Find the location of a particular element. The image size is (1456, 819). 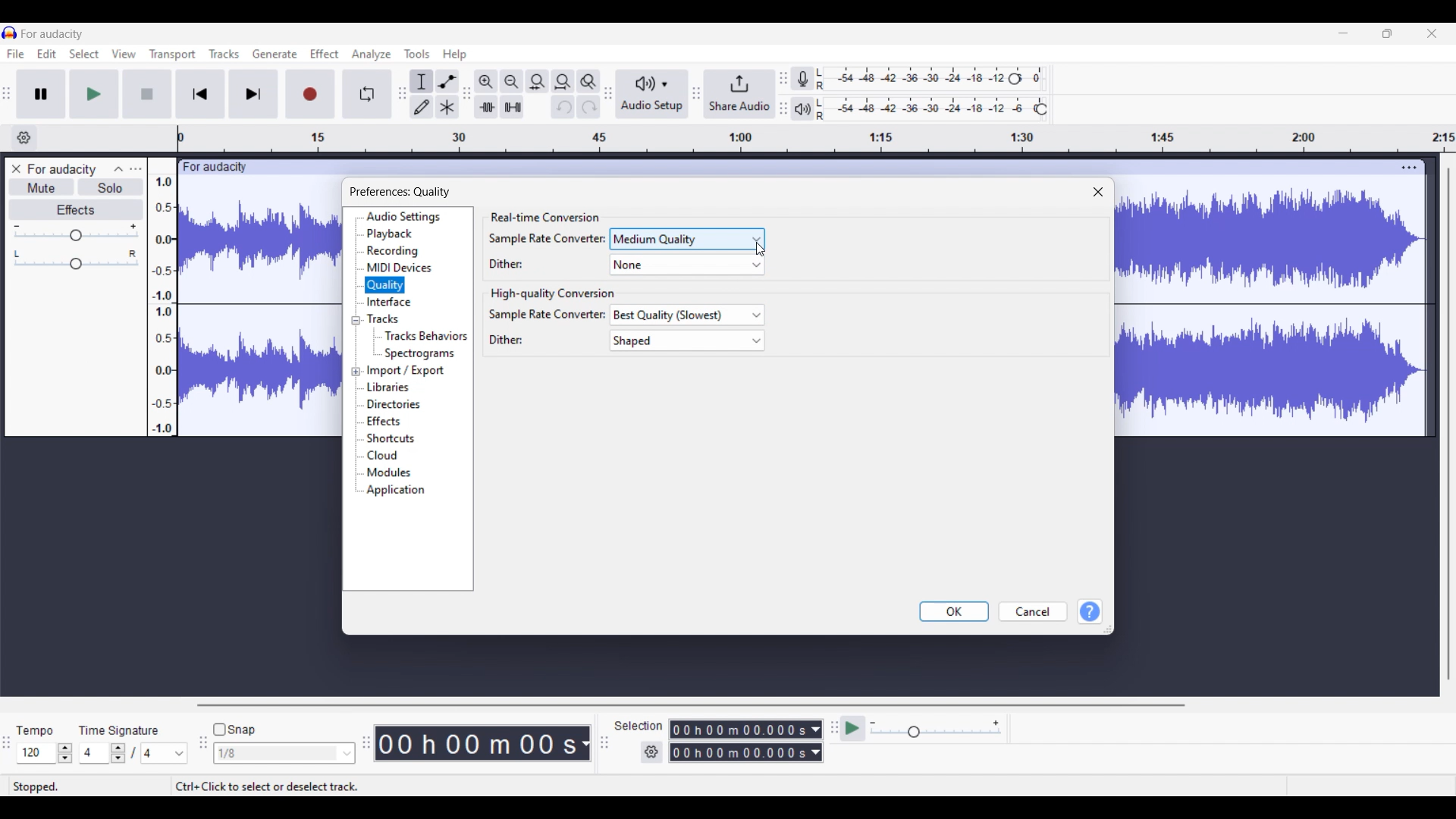

Current project name is located at coordinates (52, 34).